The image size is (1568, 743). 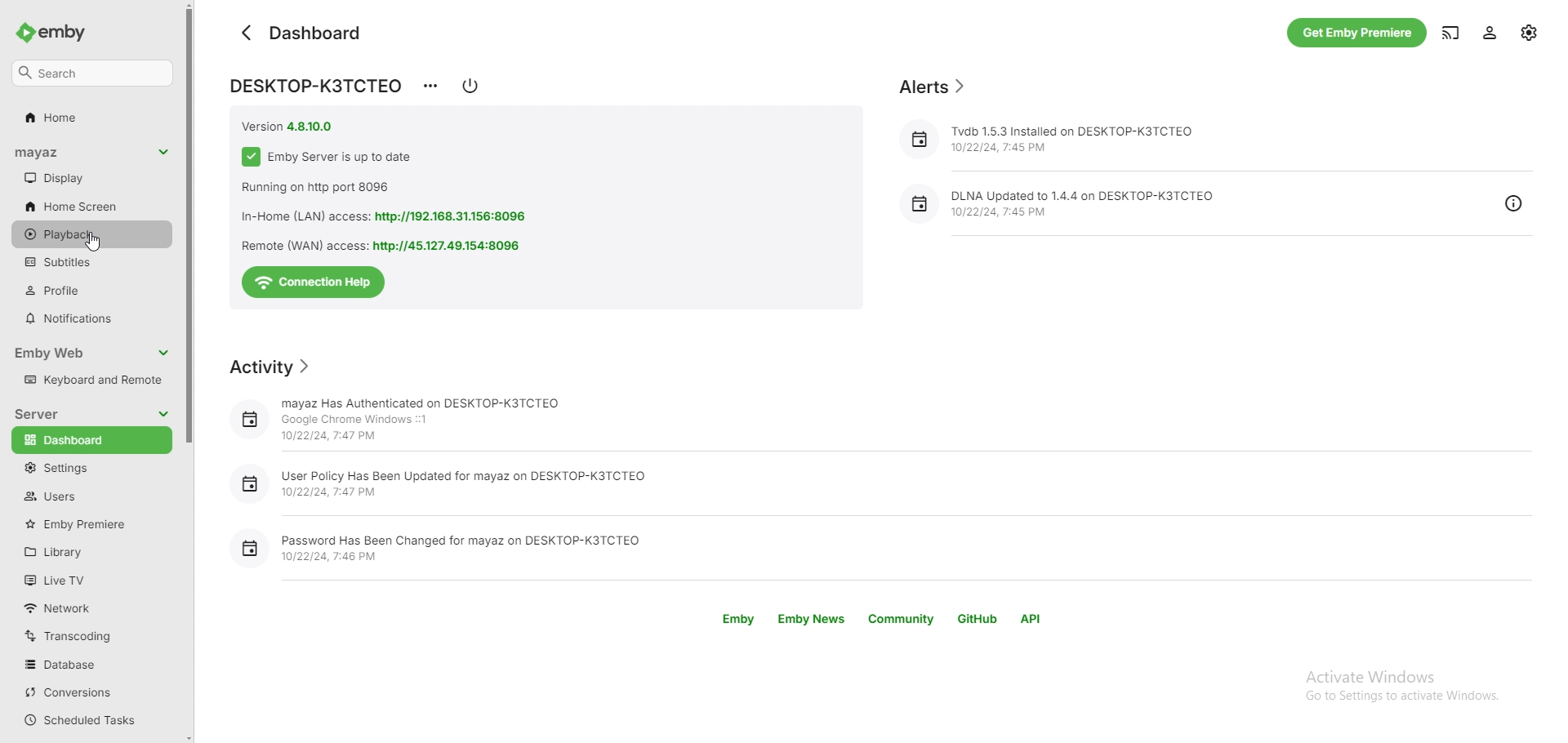 What do you see at coordinates (1492, 32) in the screenshot?
I see `profile` at bounding box center [1492, 32].